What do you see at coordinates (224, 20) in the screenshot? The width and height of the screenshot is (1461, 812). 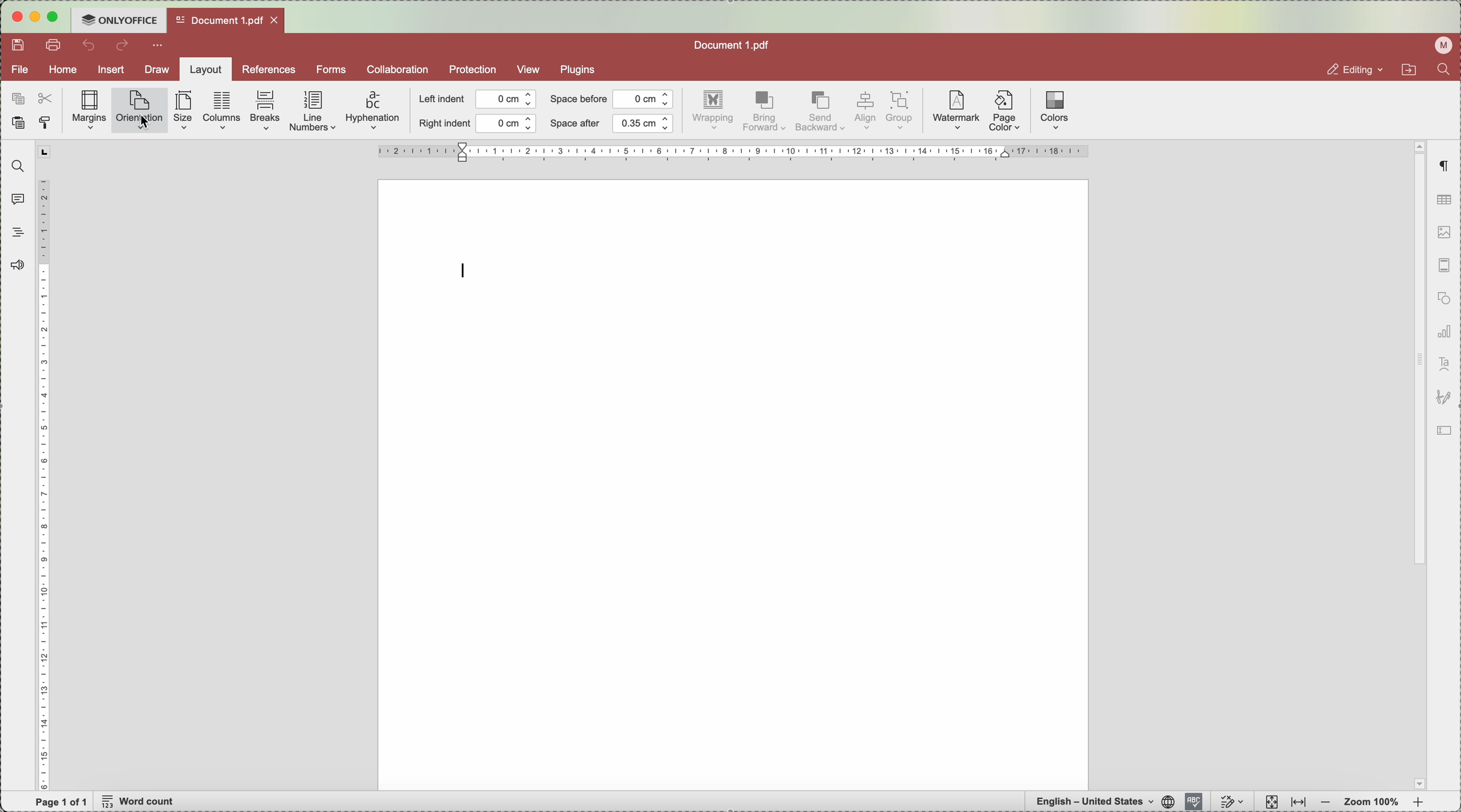 I see `open file` at bounding box center [224, 20].